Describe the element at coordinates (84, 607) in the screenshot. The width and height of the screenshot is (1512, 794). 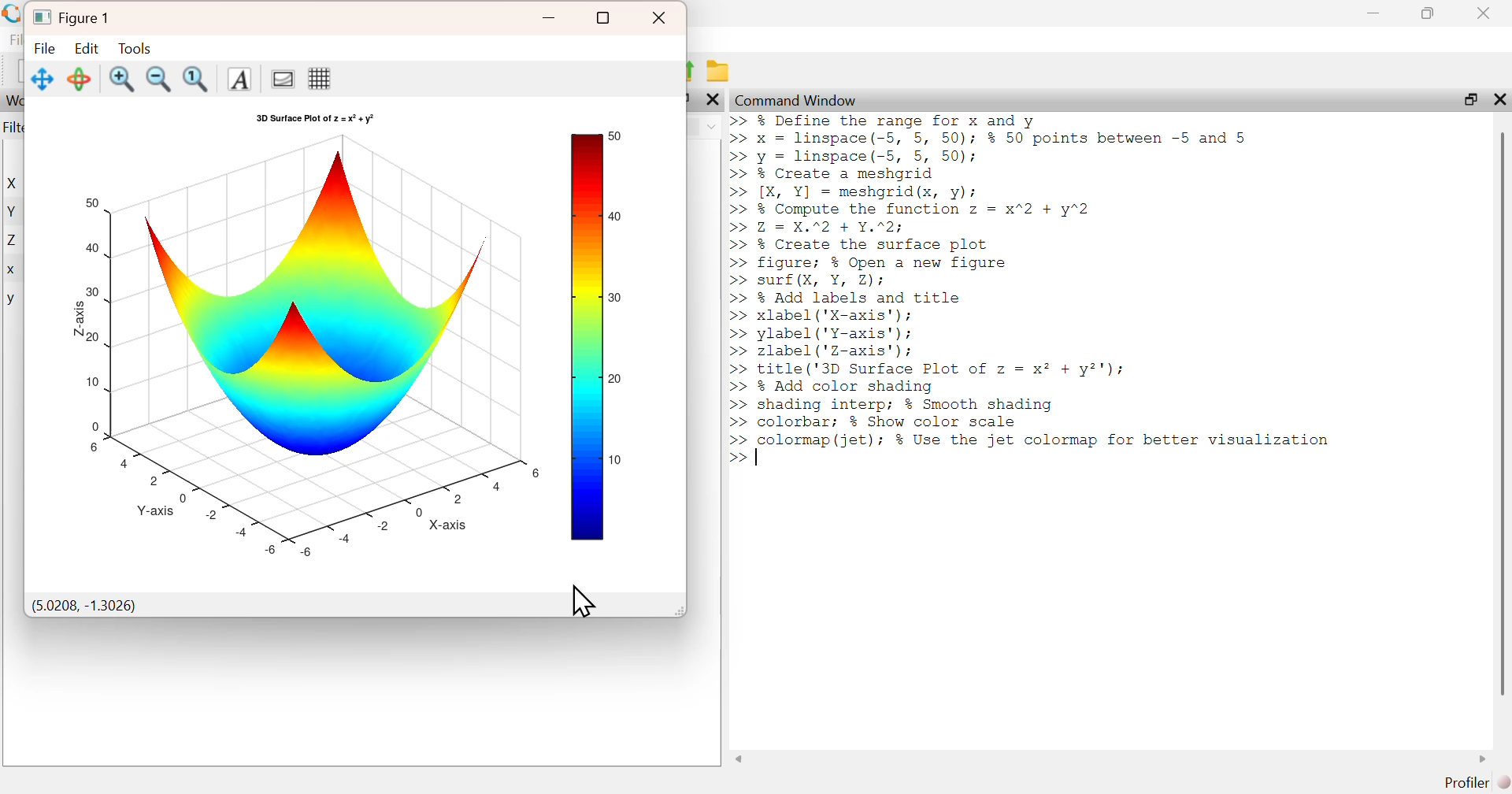
I see `(5.0208, -1.3026)` at that location.